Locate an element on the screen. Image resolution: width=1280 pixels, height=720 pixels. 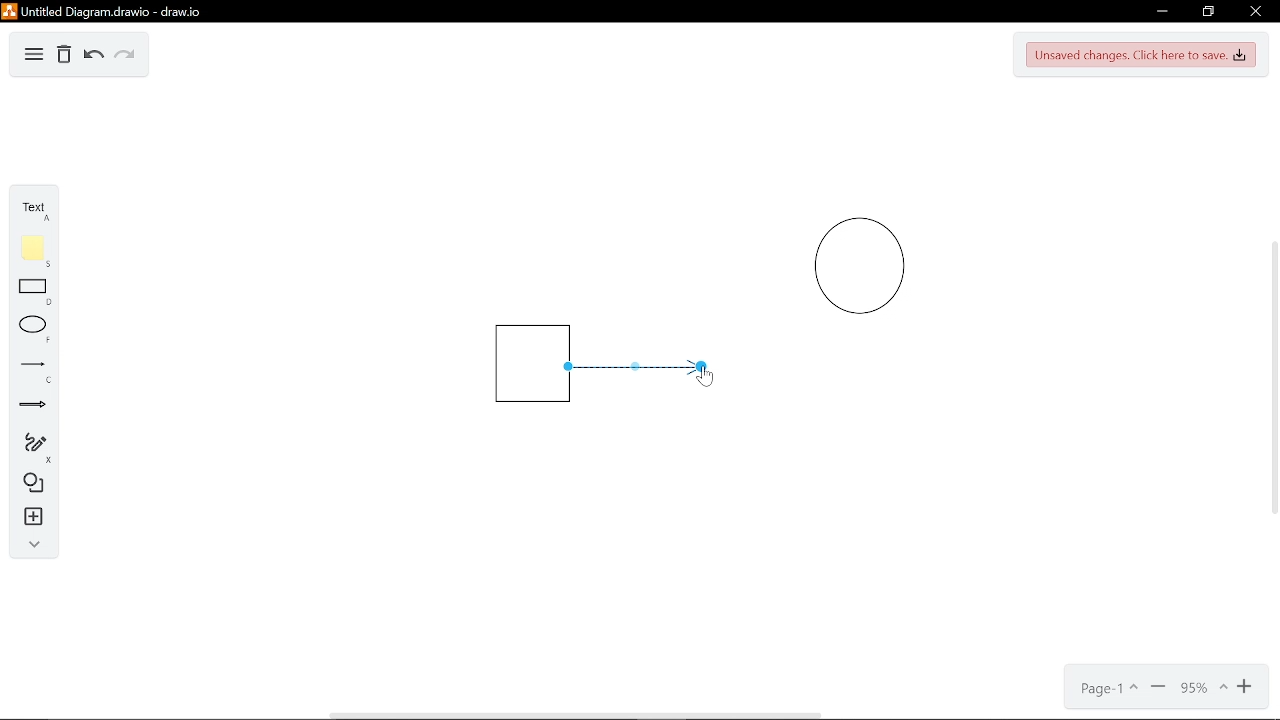
CLose is located at coordinates (1254, 12).